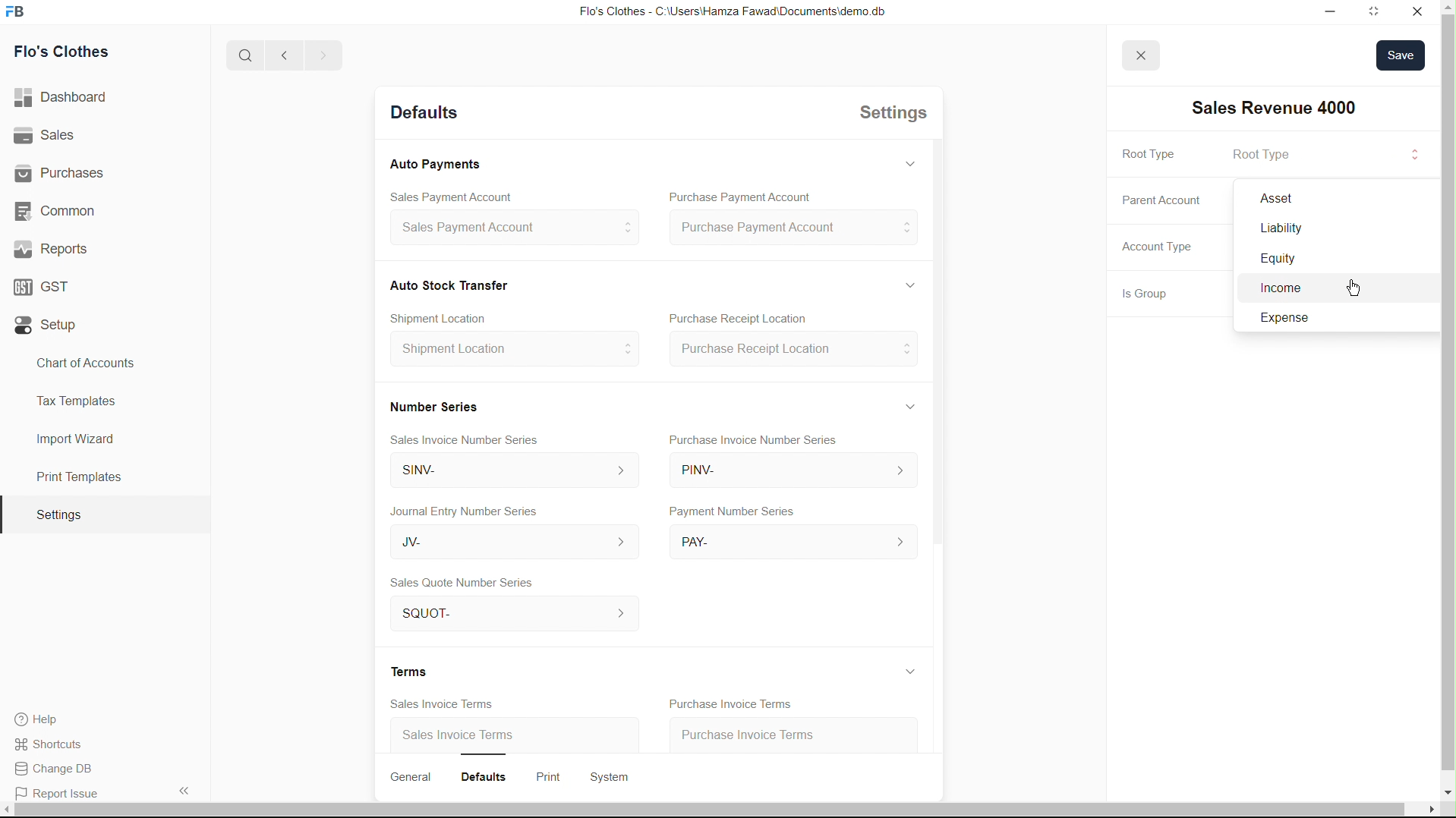 Image resolution: width=1456 pixels, height=818 pixels. Describe the element at coordinates (48, 136) in the screenshot. I see `Sales` at that location.